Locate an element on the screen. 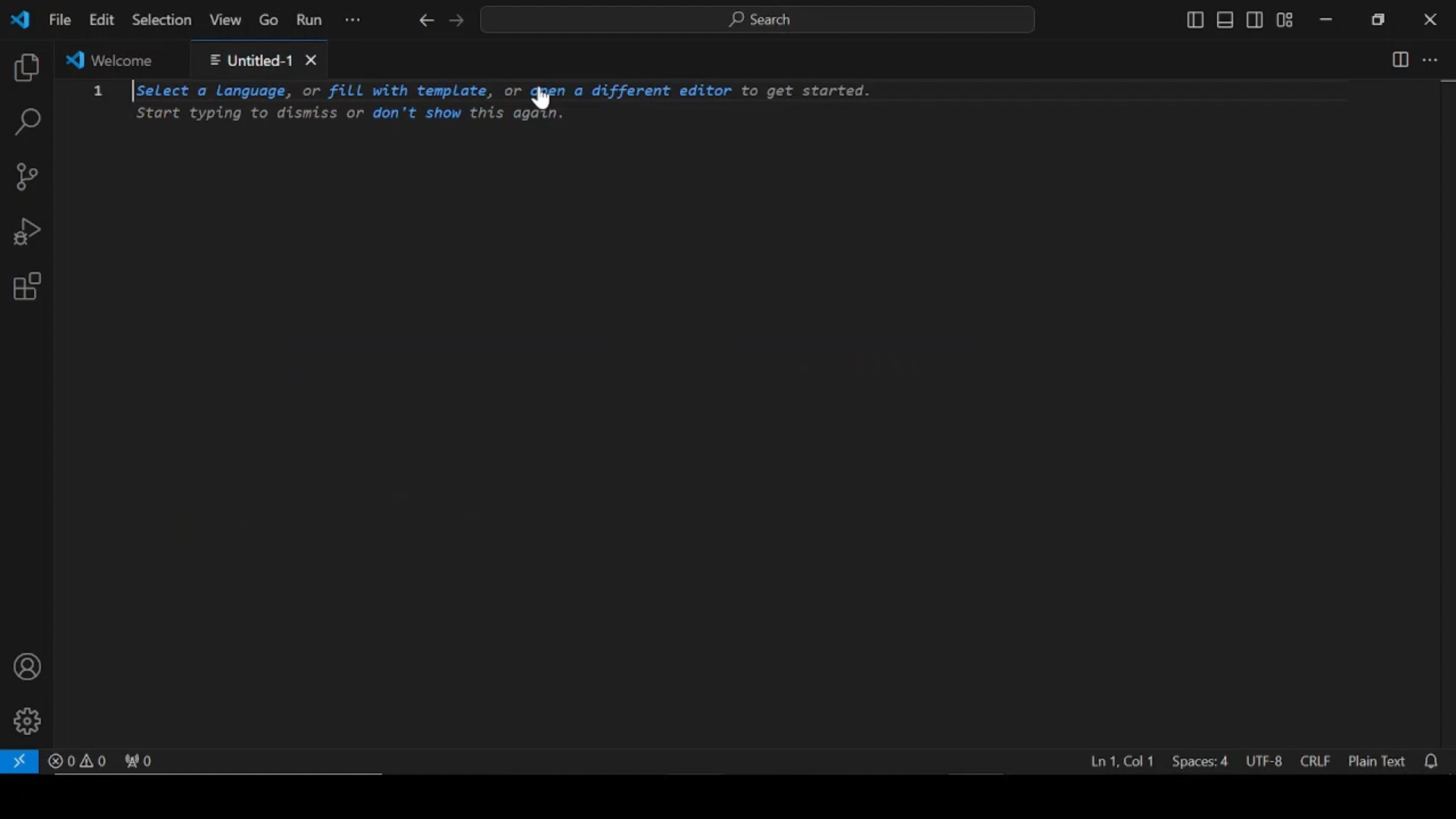 The height and width of the screenshot is (819, 1456). search bar is located at coordinates (760, 20).